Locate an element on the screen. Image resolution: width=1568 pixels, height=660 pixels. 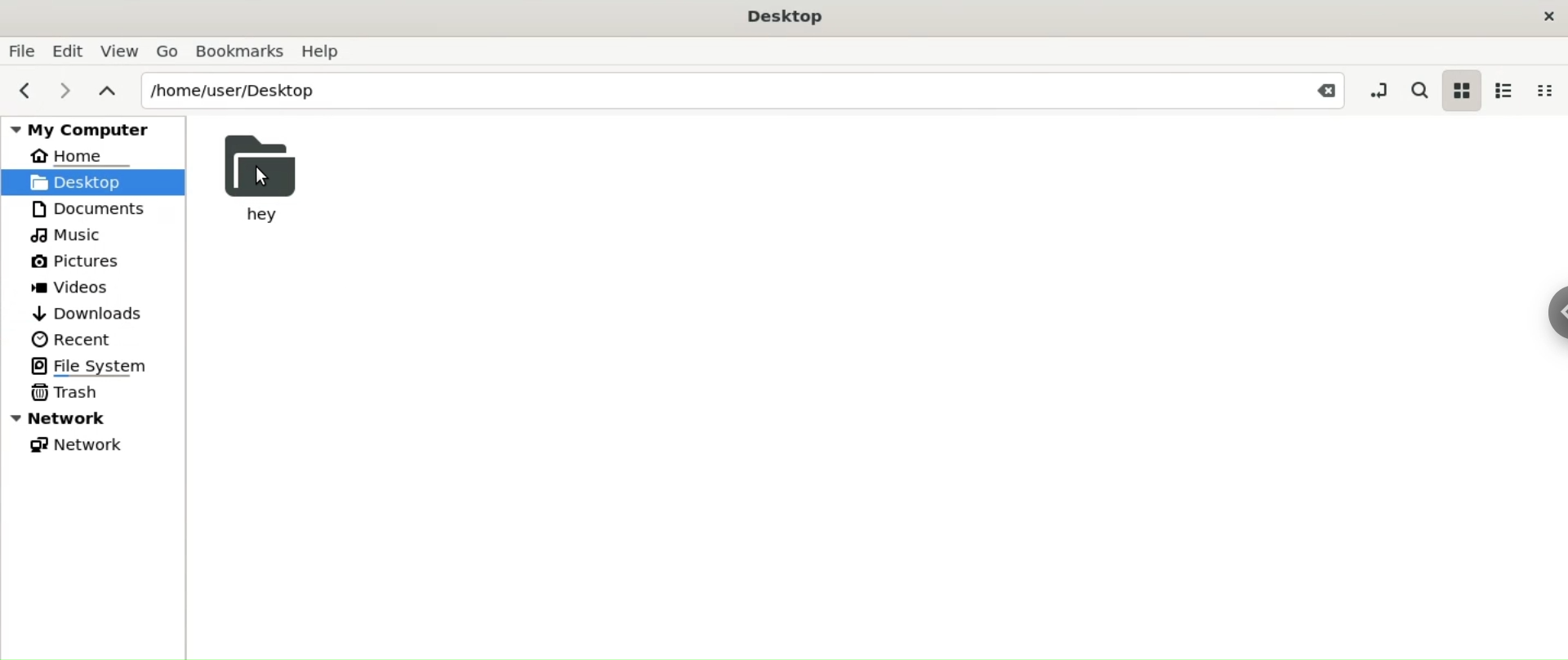
Go  is located at coordinates (171, 52).